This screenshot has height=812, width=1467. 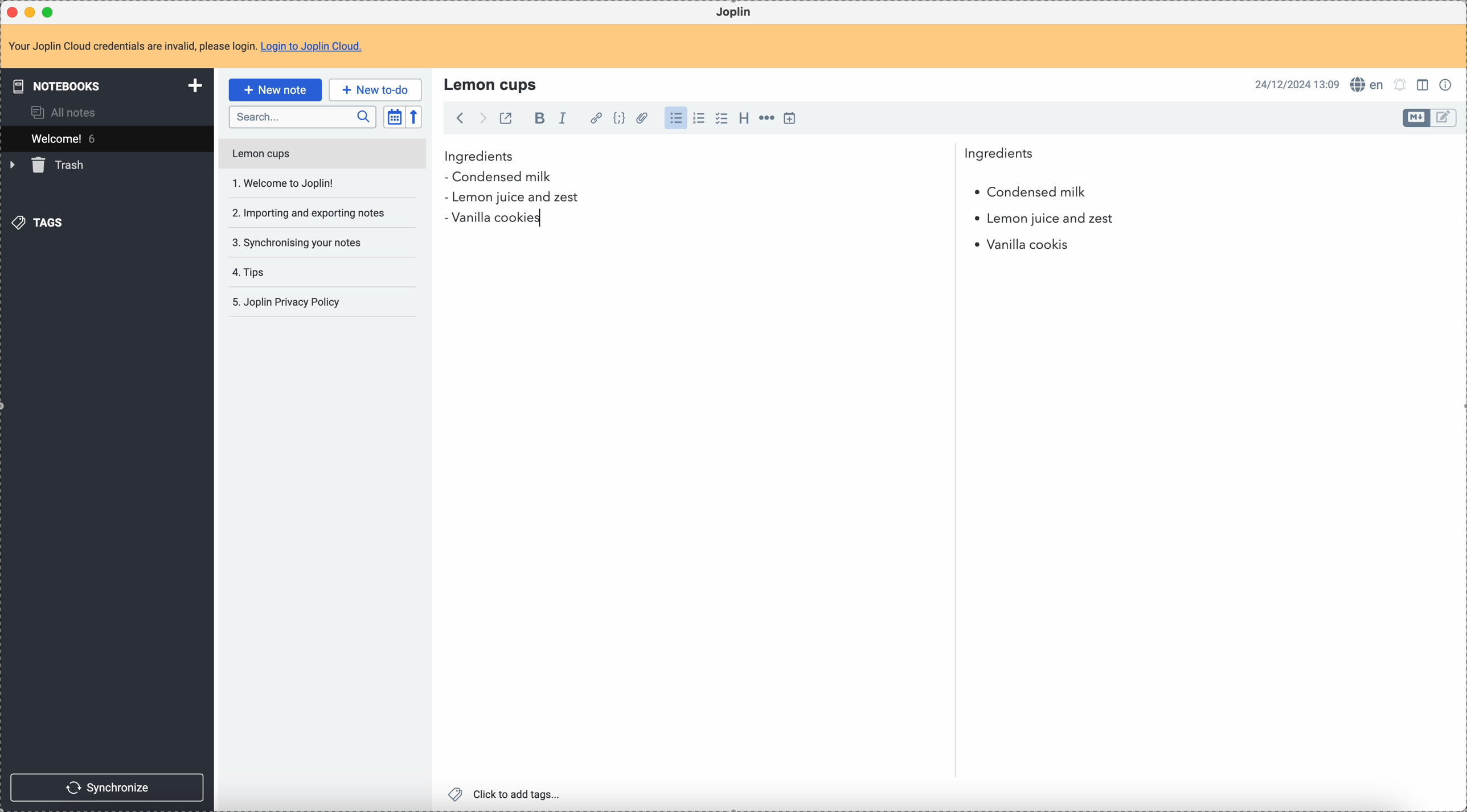 I want to click on toggle edit layout, so click(x=1417, y=118).